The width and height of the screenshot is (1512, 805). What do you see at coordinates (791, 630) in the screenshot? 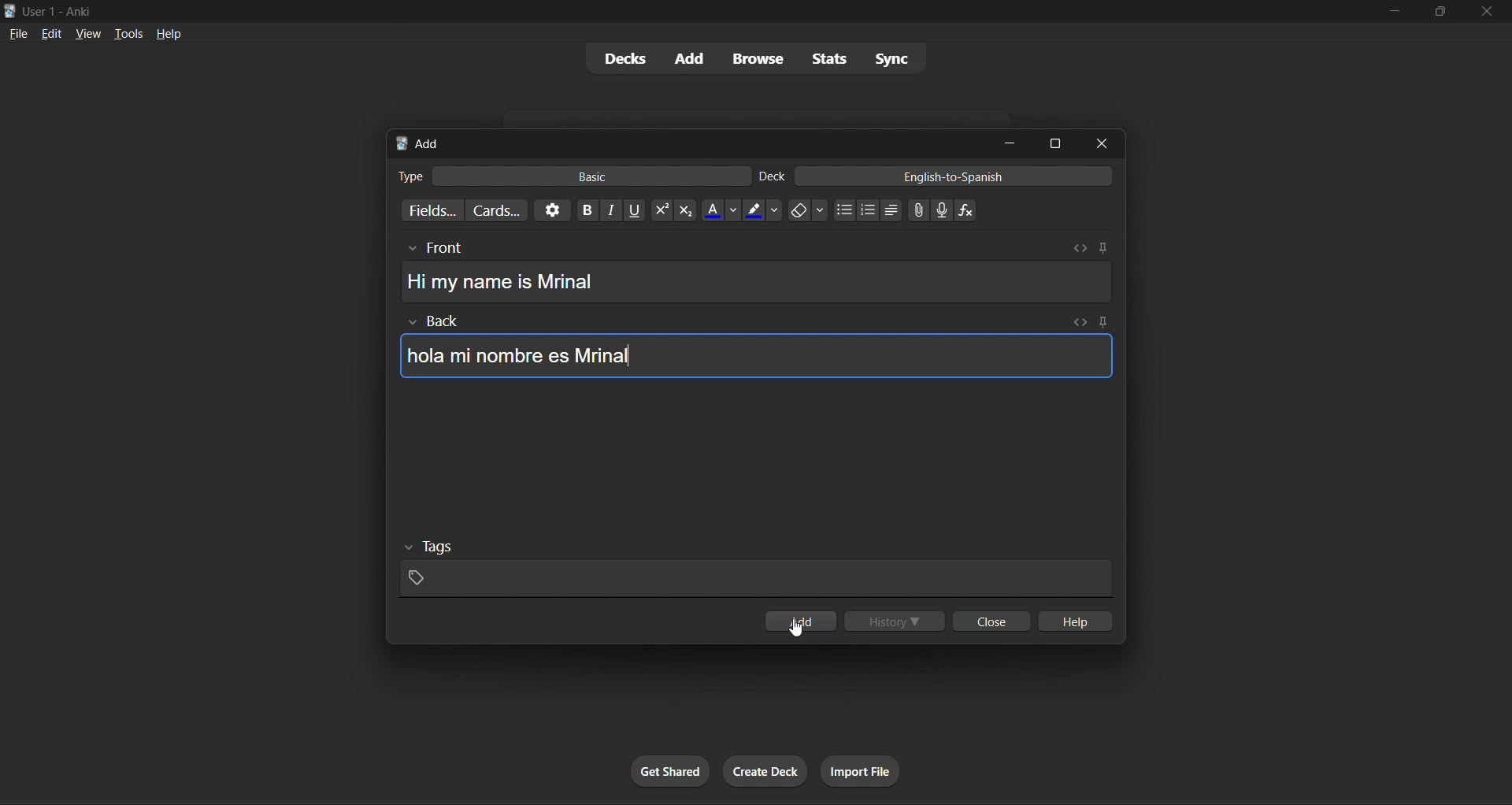
I see `cursor` at bounding box center [791, 630].